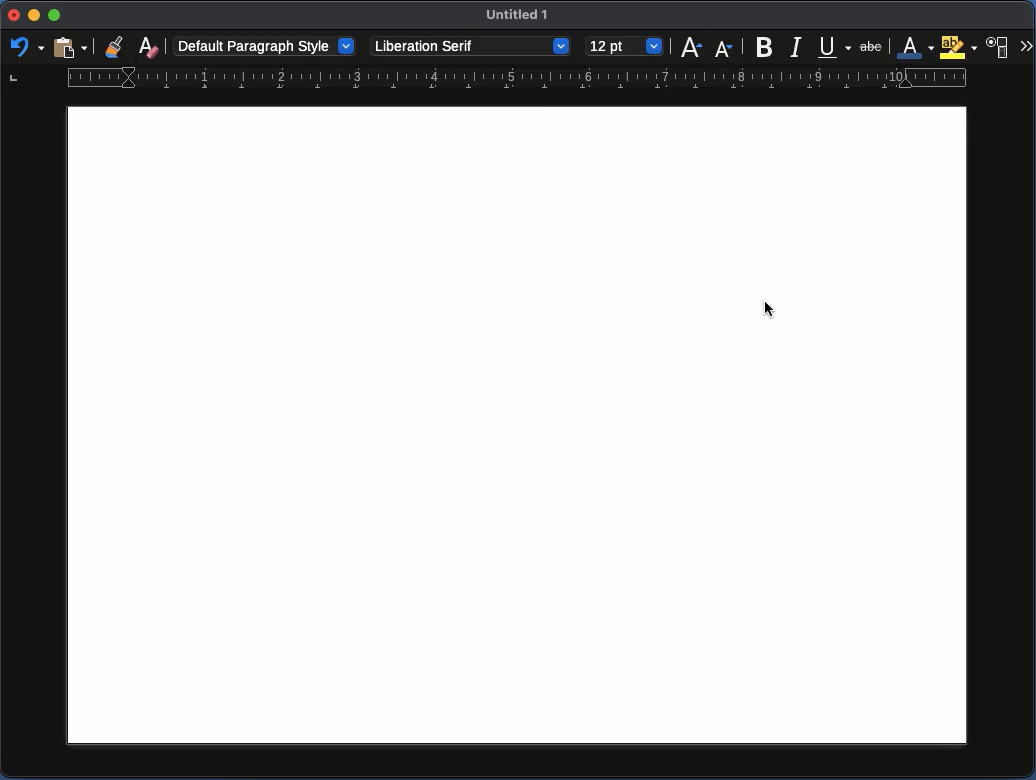  What do you see at coordinates (70, 46) in the screenshot?
I see `Clipboard` at bounding box center [70, 46].